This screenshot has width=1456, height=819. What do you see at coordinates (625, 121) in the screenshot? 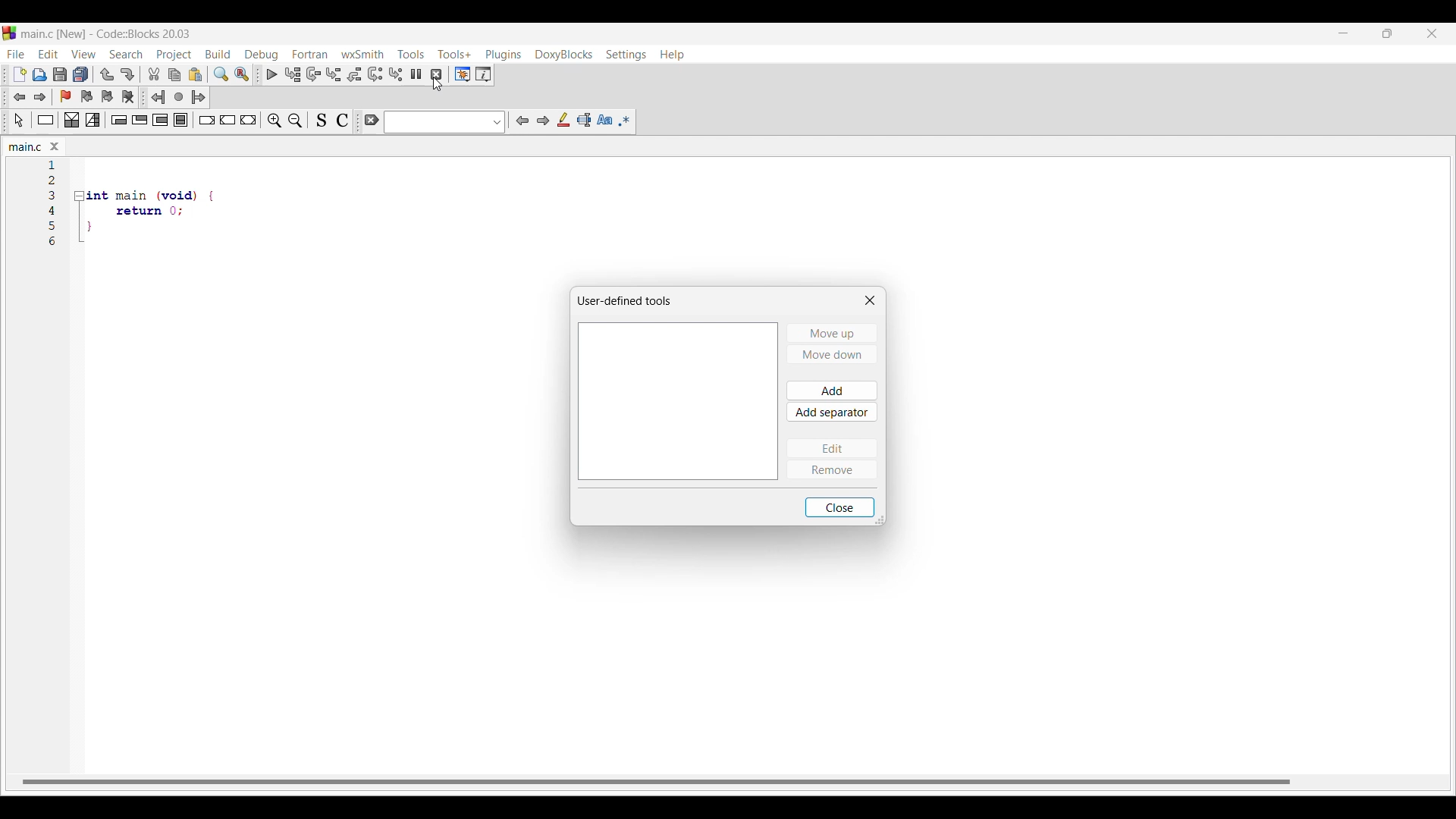
I see `Use regex` at bounding box center [625, 121].